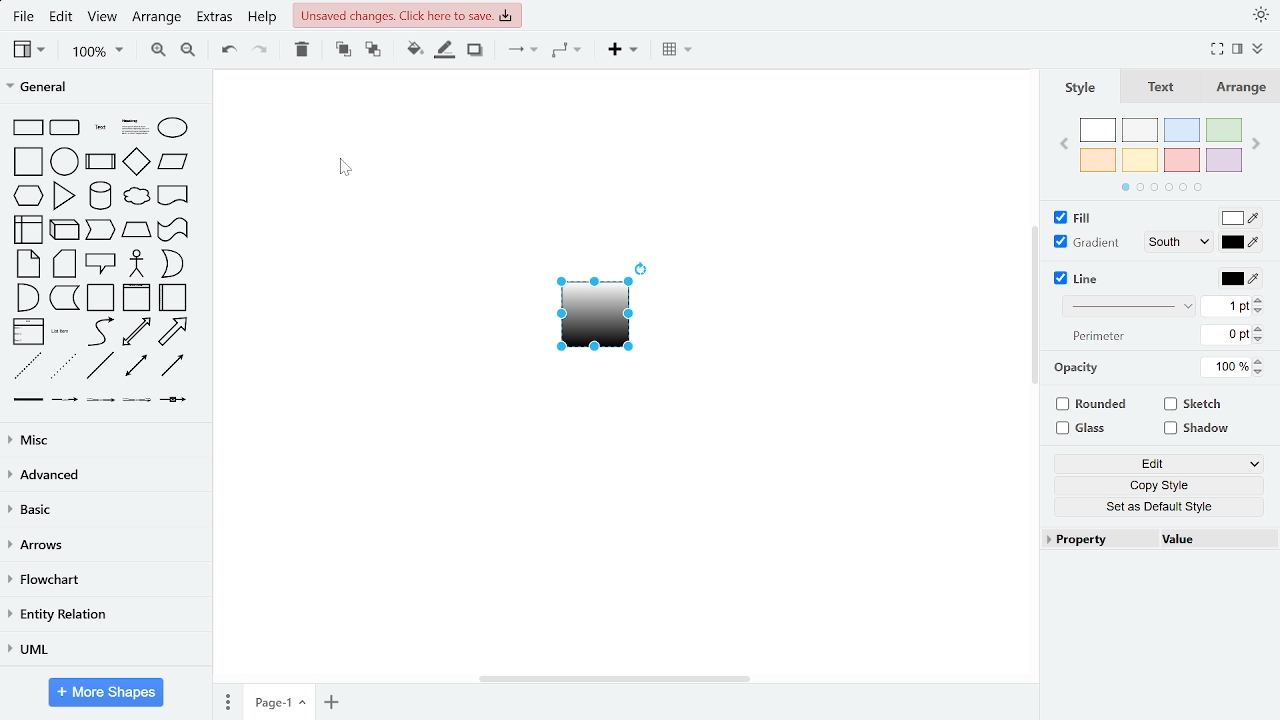 This screenshot has width=1280, height=720. Describe the element at coordinates (172, 229) in the screenshot. I see `general shapes` at that location.